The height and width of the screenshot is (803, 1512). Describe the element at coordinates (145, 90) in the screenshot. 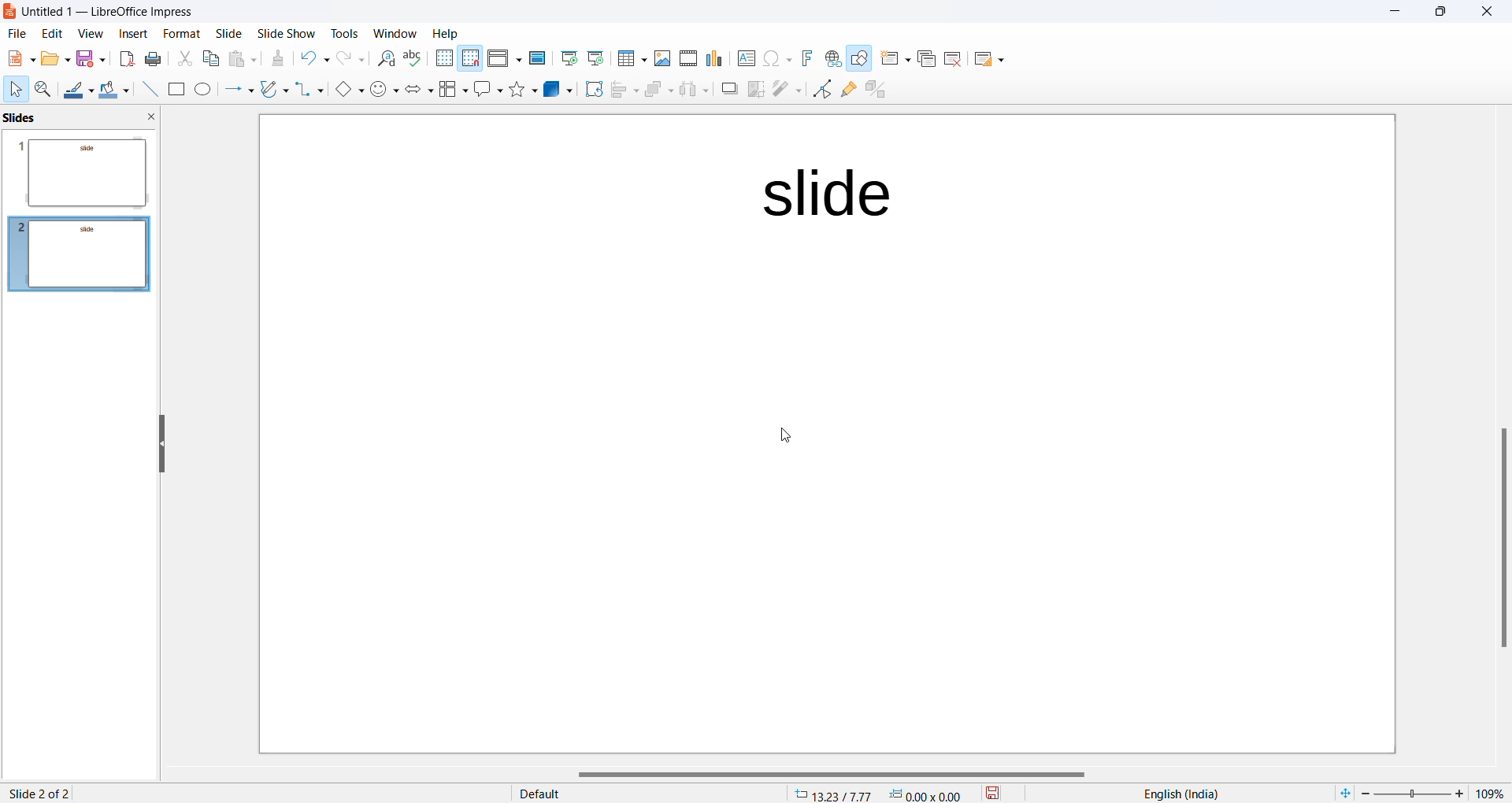

I see `Line` at that location.